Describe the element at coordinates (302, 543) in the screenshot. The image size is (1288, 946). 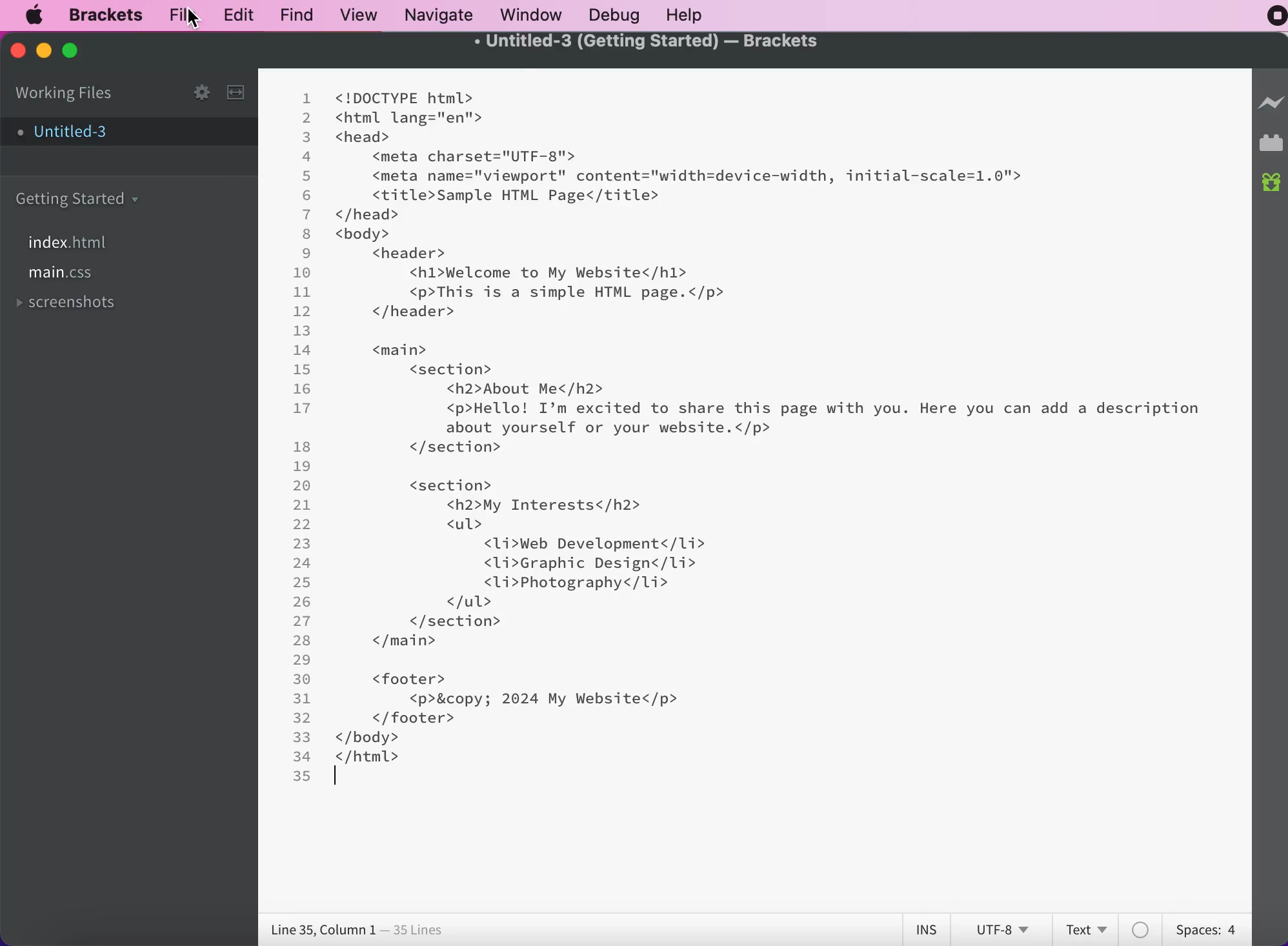
I see `23` at that location.